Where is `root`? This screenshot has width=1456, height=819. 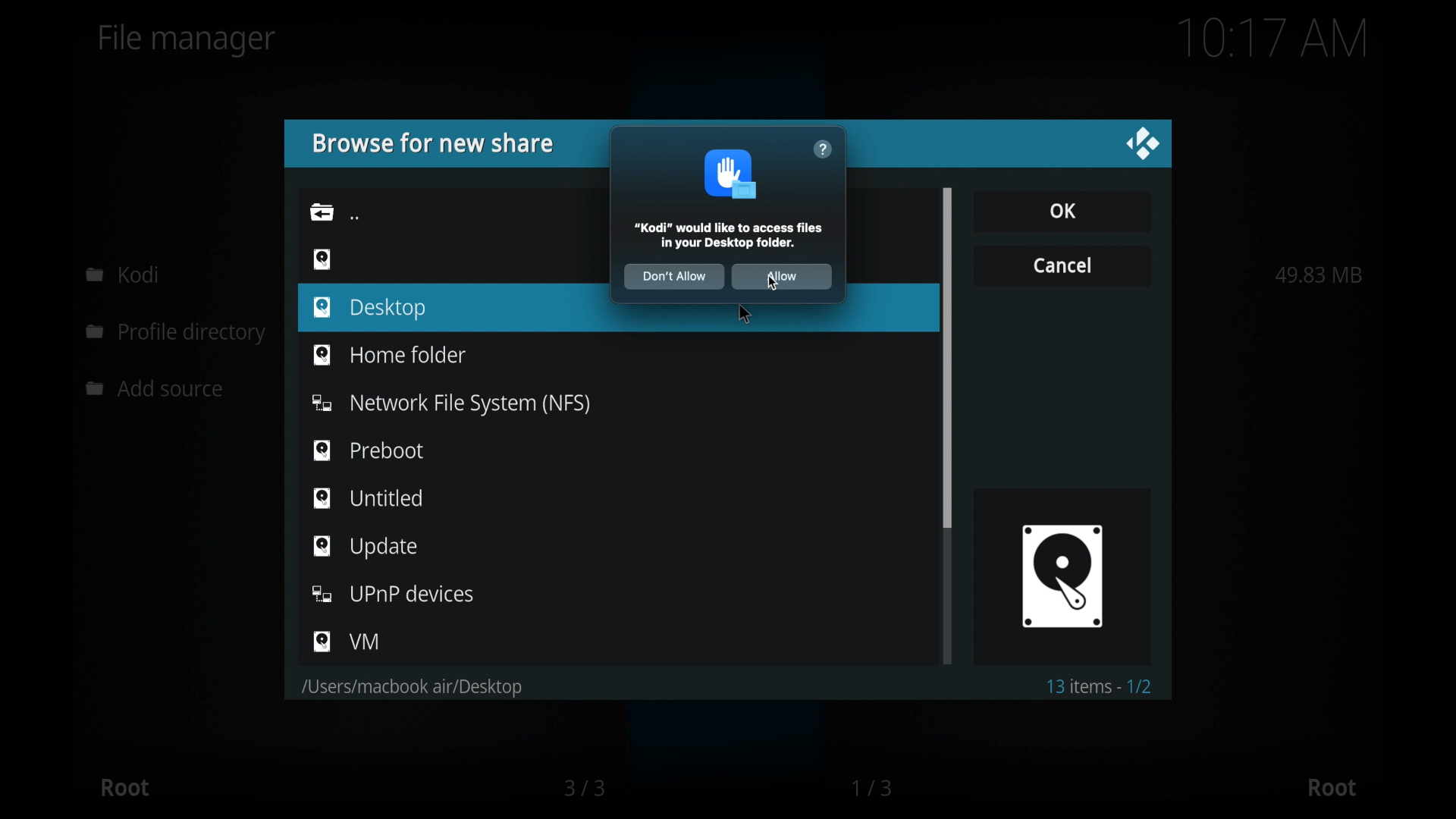 root is located at coordinates (1332, 788).